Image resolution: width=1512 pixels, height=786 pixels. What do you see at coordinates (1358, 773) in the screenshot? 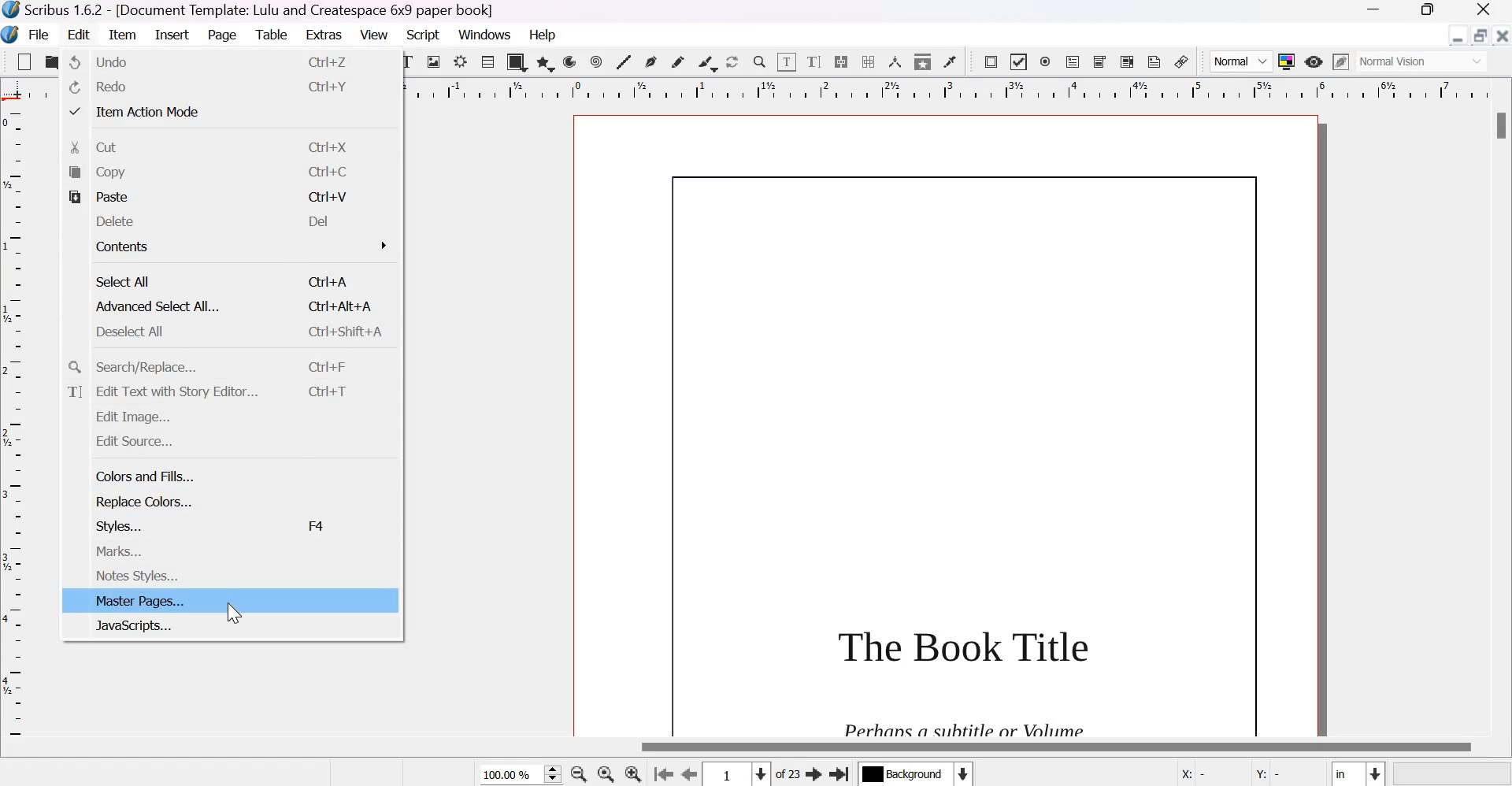
I see `Select the current unit` at bounding box center [1358, 773].